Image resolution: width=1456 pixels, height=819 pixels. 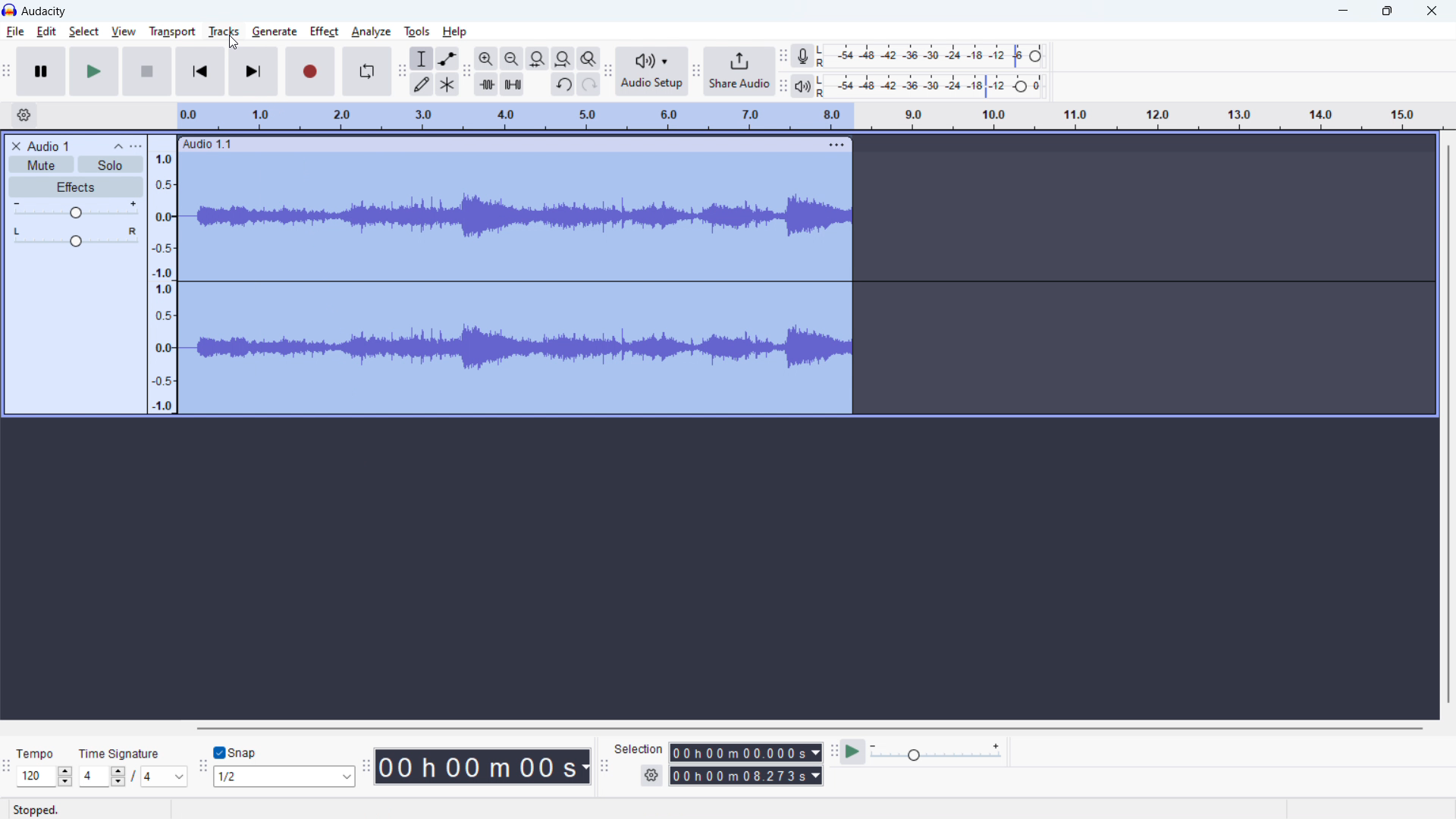 What do you see at coordinates (604, 764) in the screenshot?
I see `selection toolbar` at bounding box center [604, 764].